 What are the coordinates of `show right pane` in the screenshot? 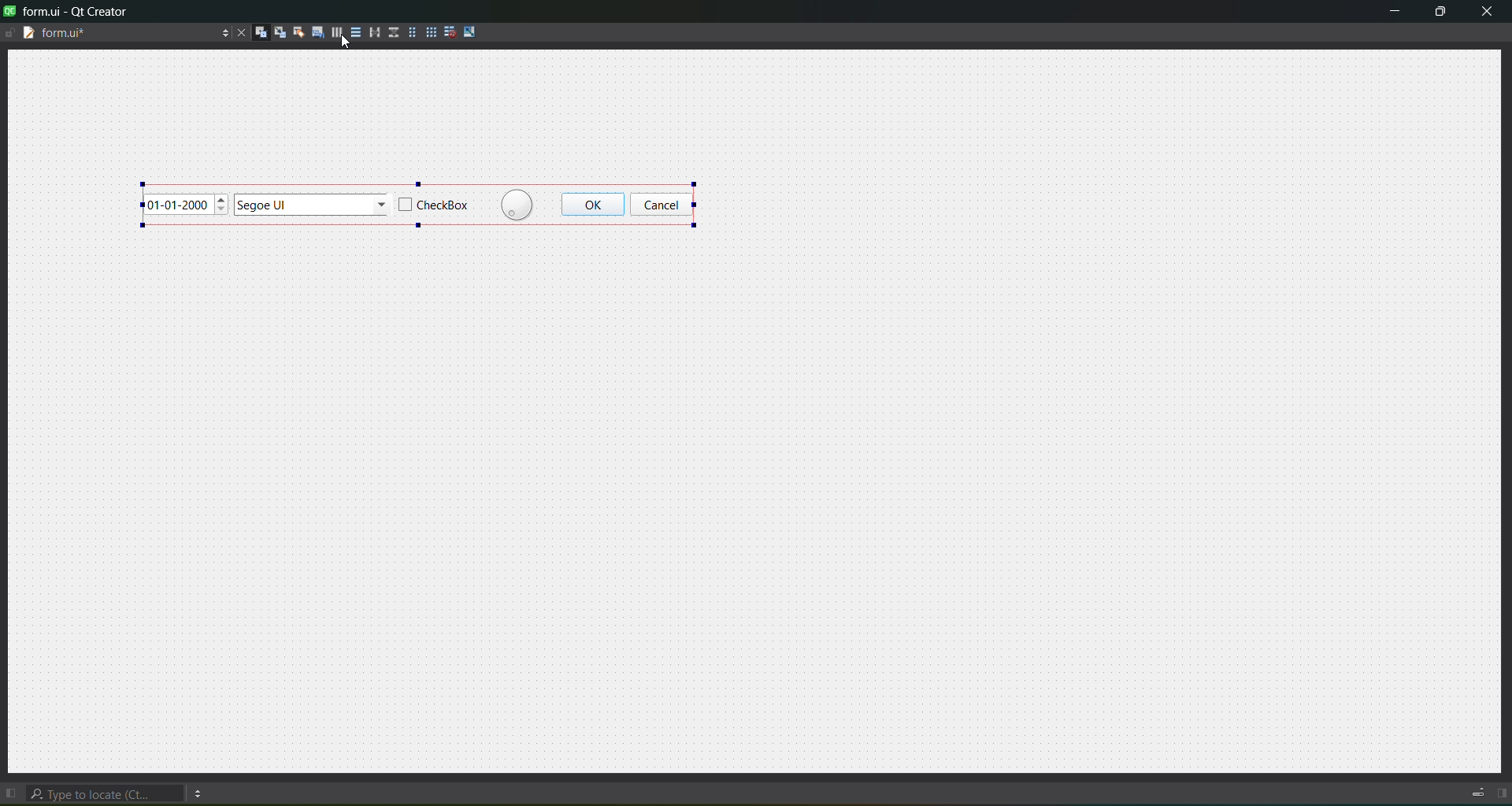 It's located at (1499, 793).